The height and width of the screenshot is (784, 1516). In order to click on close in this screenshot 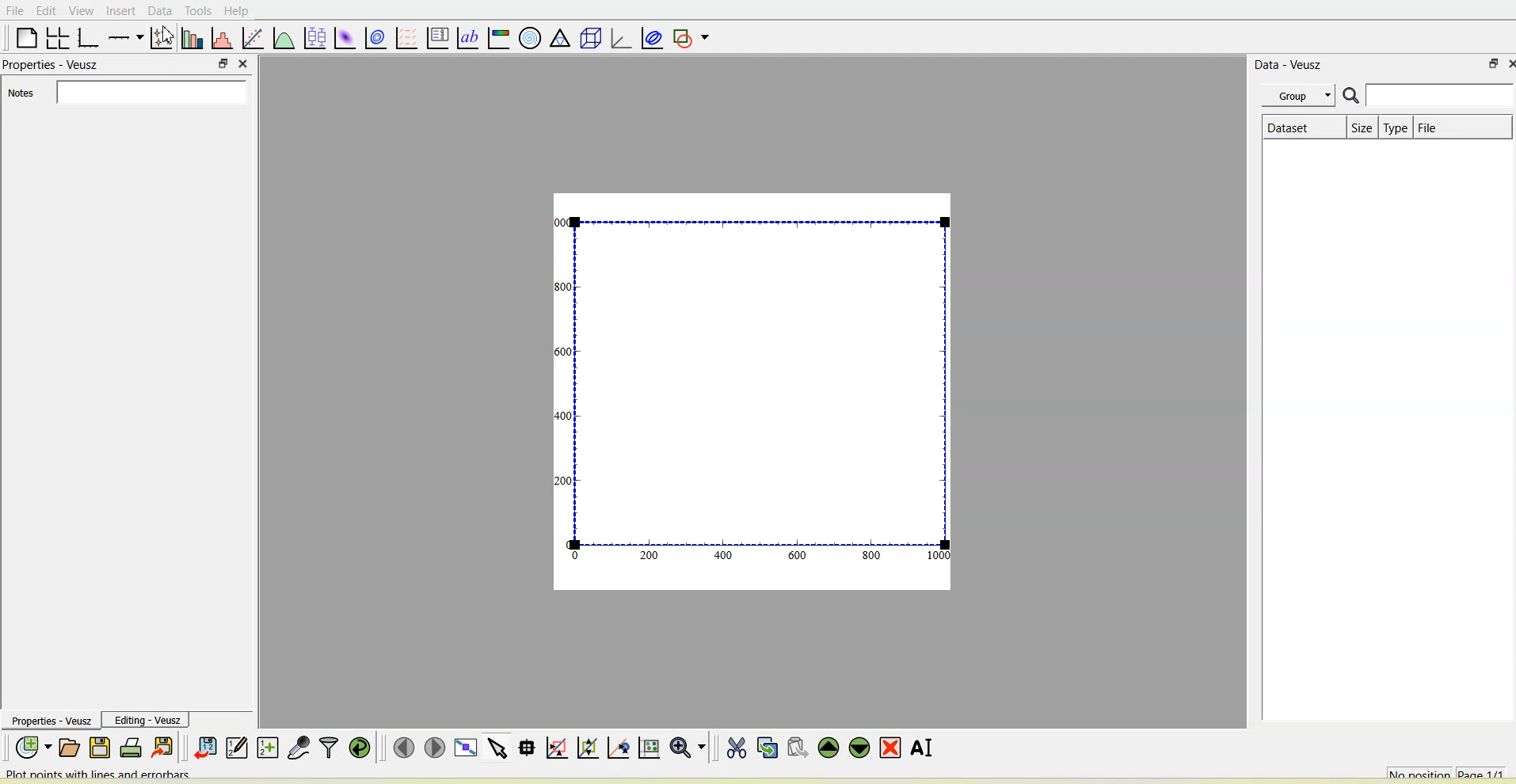, I will do `click(245, 65)`.